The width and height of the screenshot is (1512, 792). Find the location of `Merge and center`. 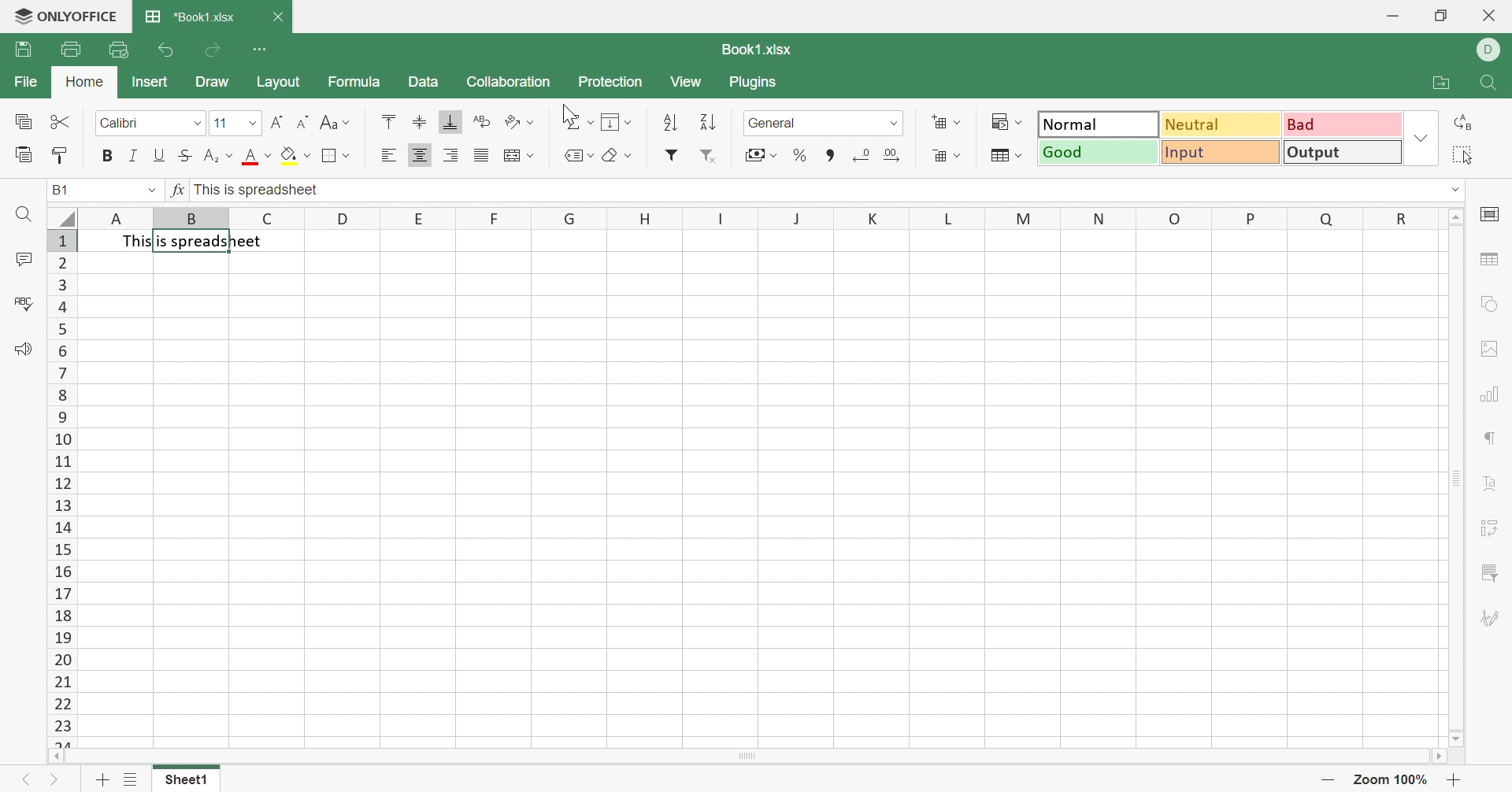

Merge and center is located at coordinates (511, 155).